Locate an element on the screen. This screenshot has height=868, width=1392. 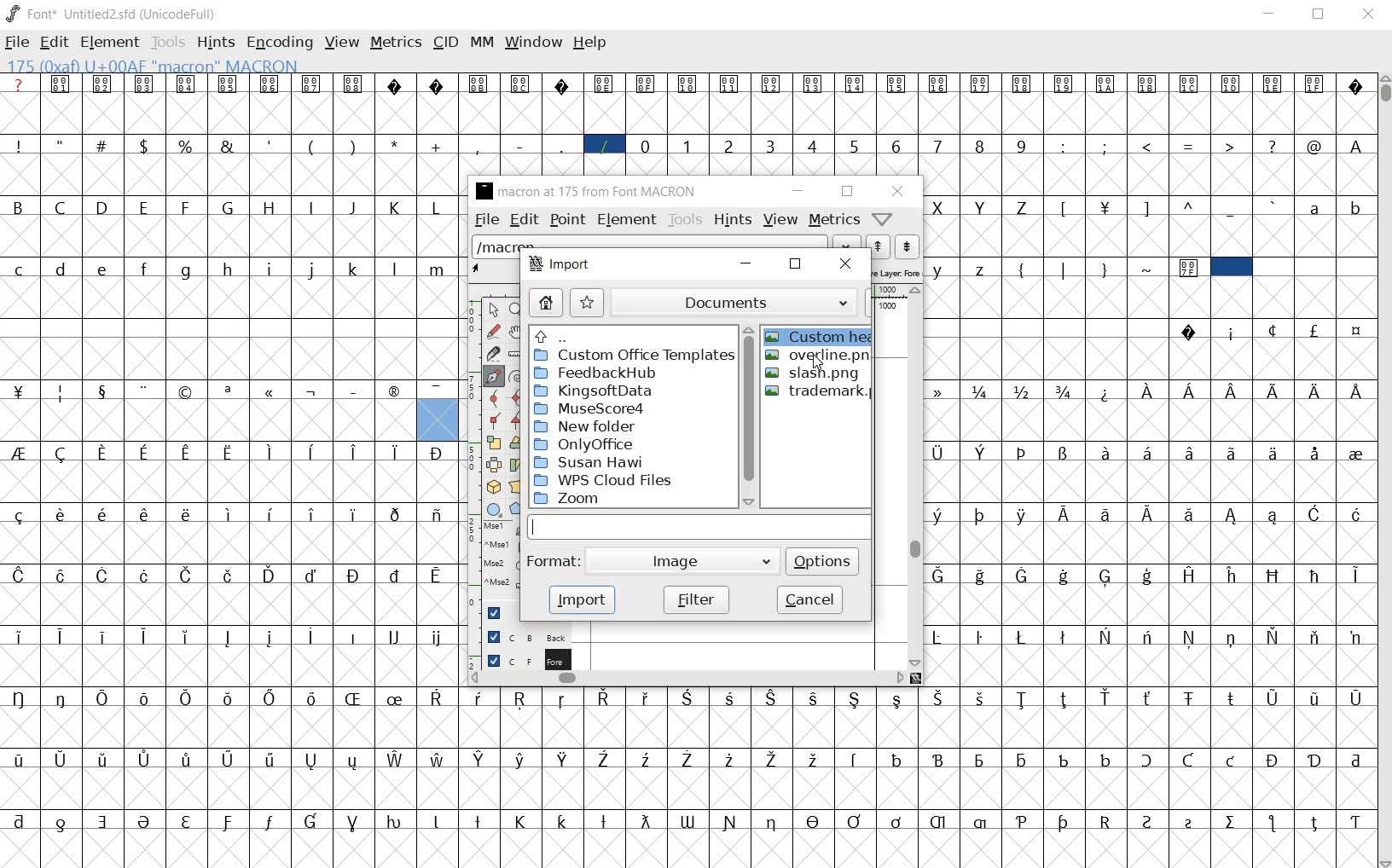
background layer is located at coordinates (527, 636).